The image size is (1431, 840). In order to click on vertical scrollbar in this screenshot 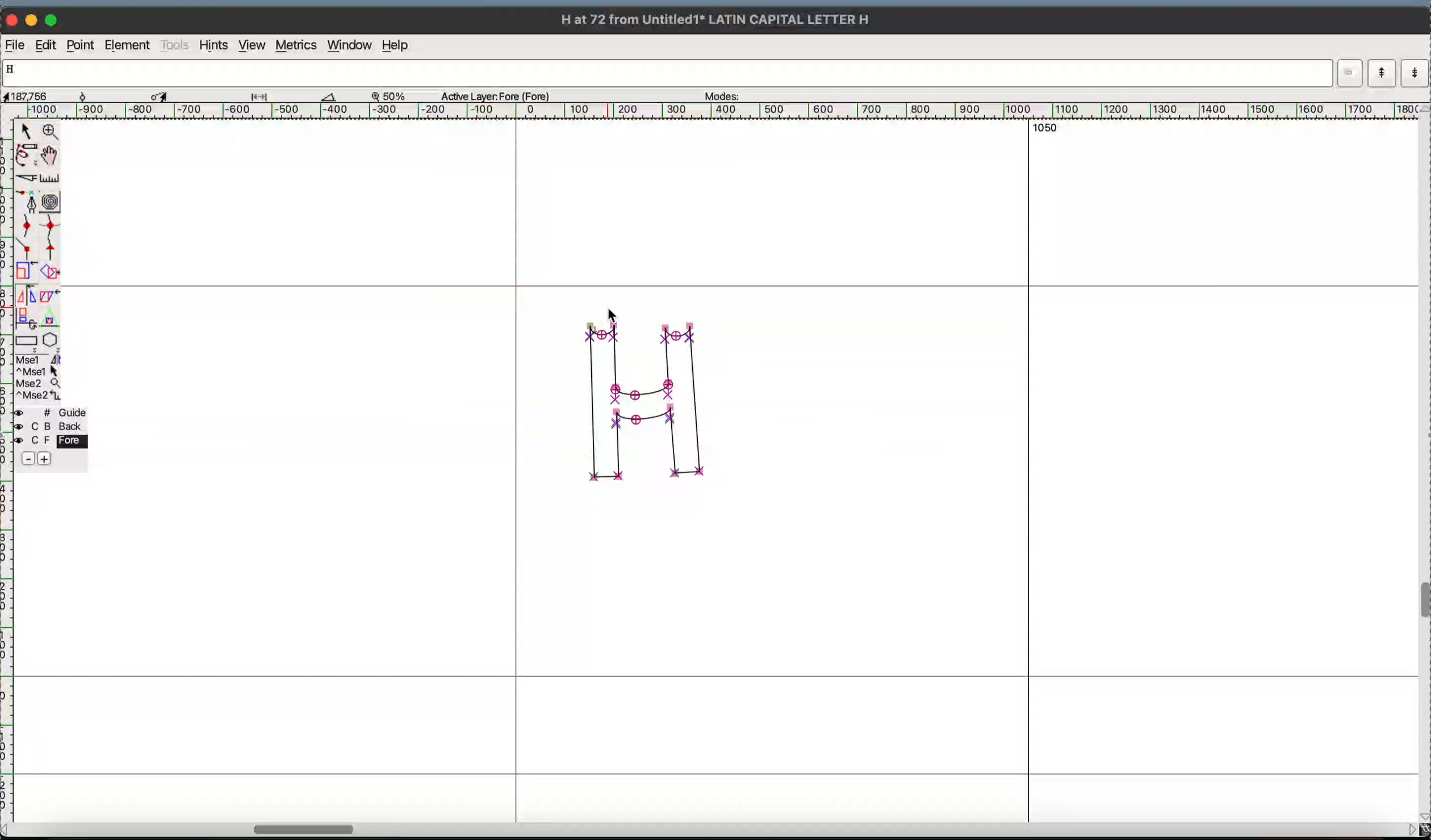, I will do `click(1422, 471)`.